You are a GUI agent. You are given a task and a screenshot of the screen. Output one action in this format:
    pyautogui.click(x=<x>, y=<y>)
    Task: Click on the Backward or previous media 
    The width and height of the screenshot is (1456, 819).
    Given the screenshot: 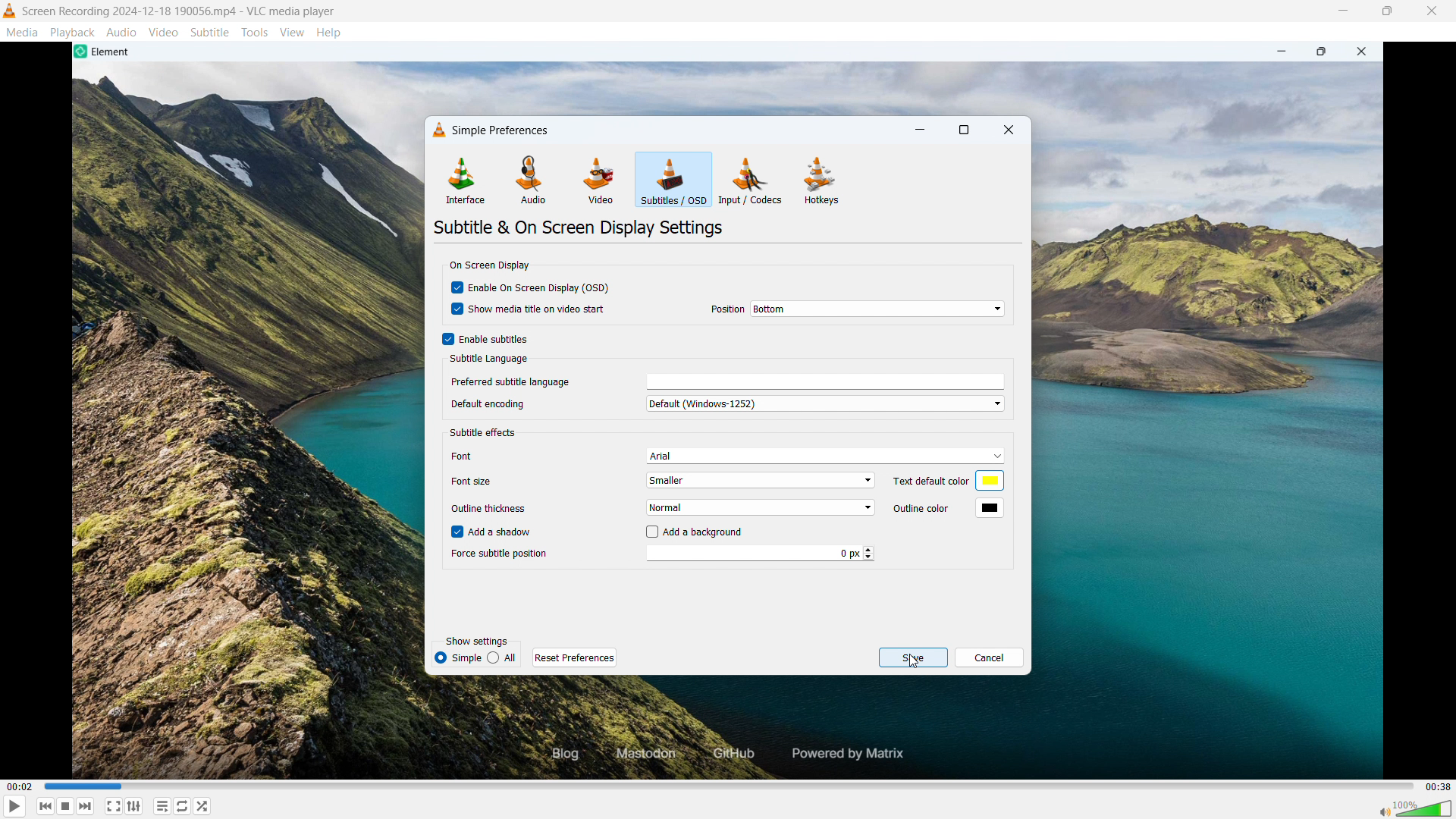 What is the action you would take?
    pyautogui.click(x=86, y=806)
    